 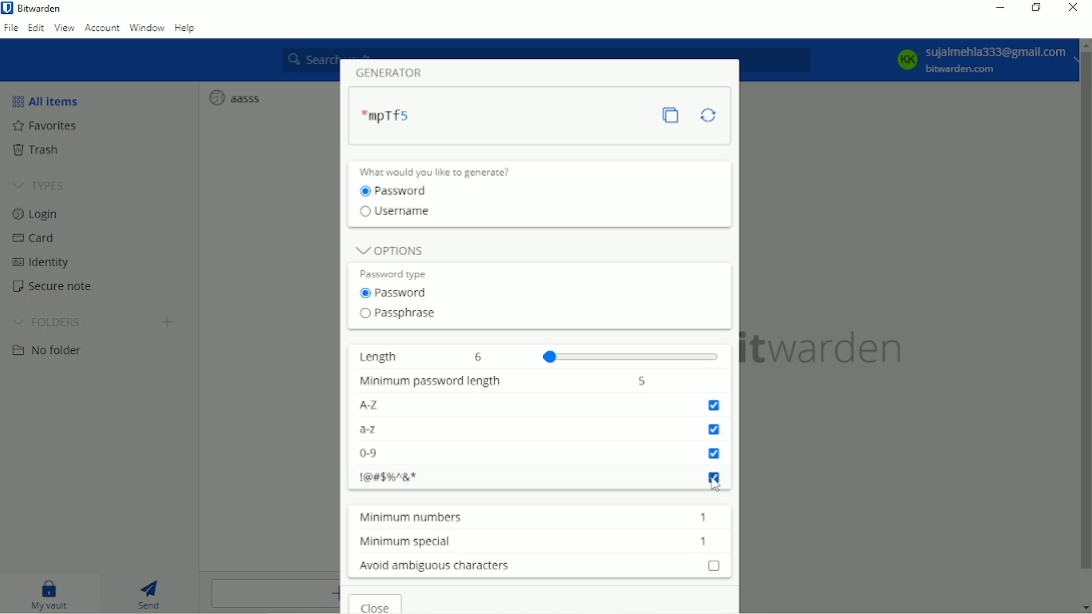 I want to click on minimum special character input, so click(x=706, y=543).